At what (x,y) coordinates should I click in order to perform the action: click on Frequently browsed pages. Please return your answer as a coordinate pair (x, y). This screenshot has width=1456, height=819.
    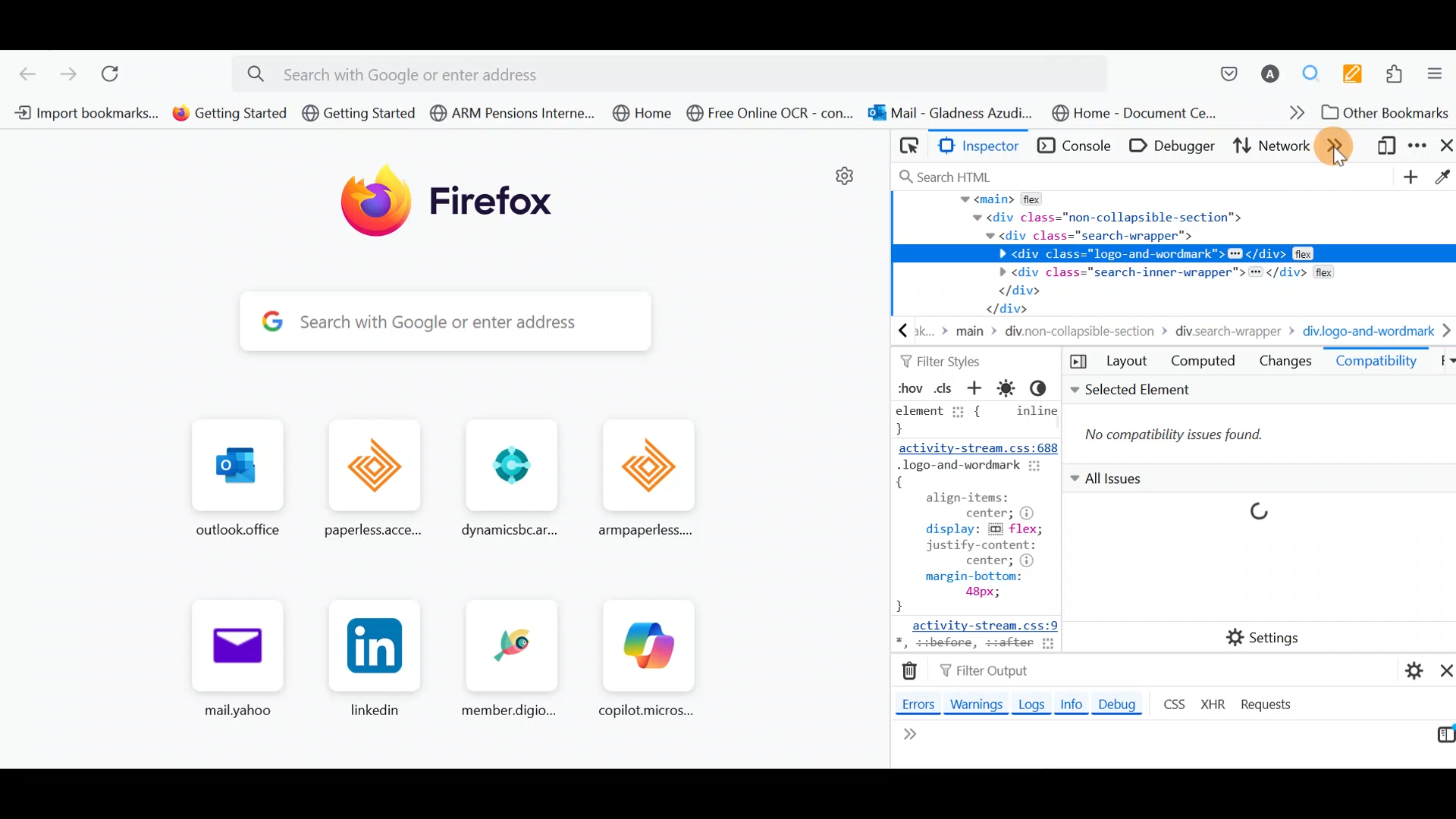
    Looking at the image, I should click on (441, 566).